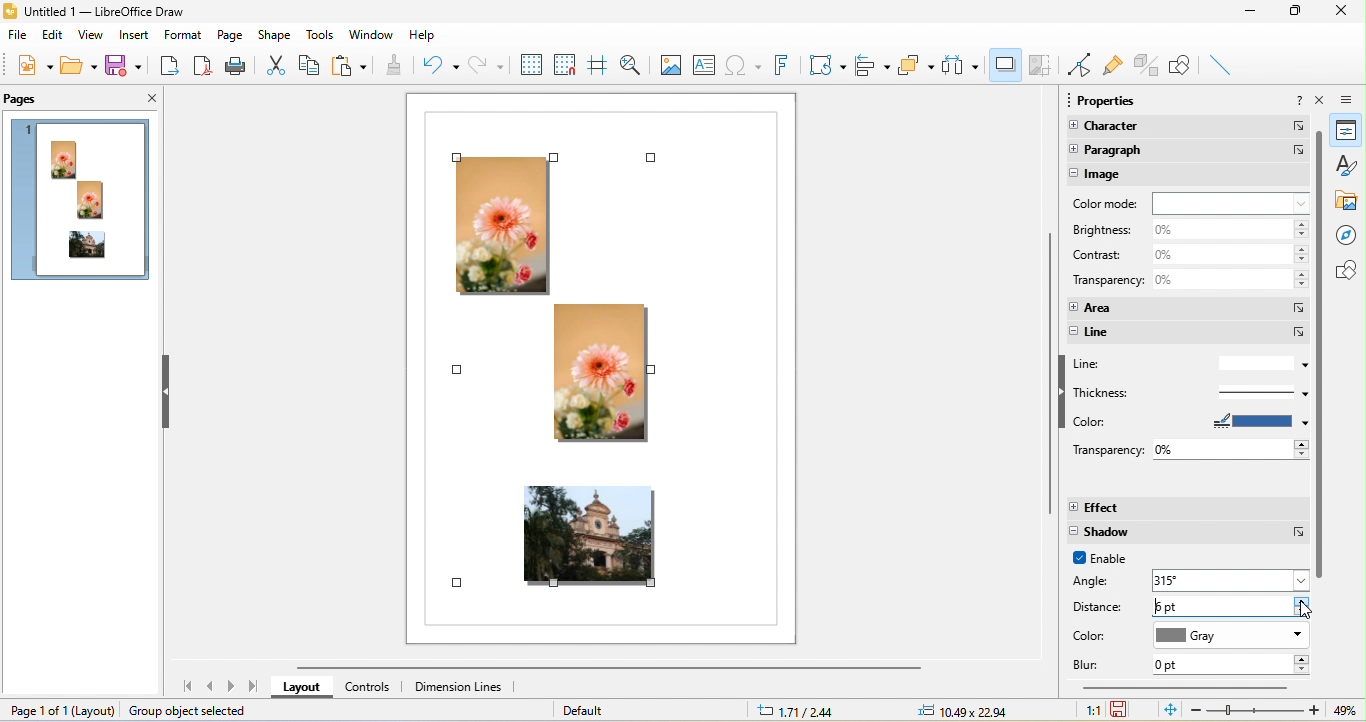 Image resolution: width=1366 pixels, height=722 pixels. What do you see at coordinates (309, 67) in the screenshot?
I see `copy` at bounding box center [309, 67].